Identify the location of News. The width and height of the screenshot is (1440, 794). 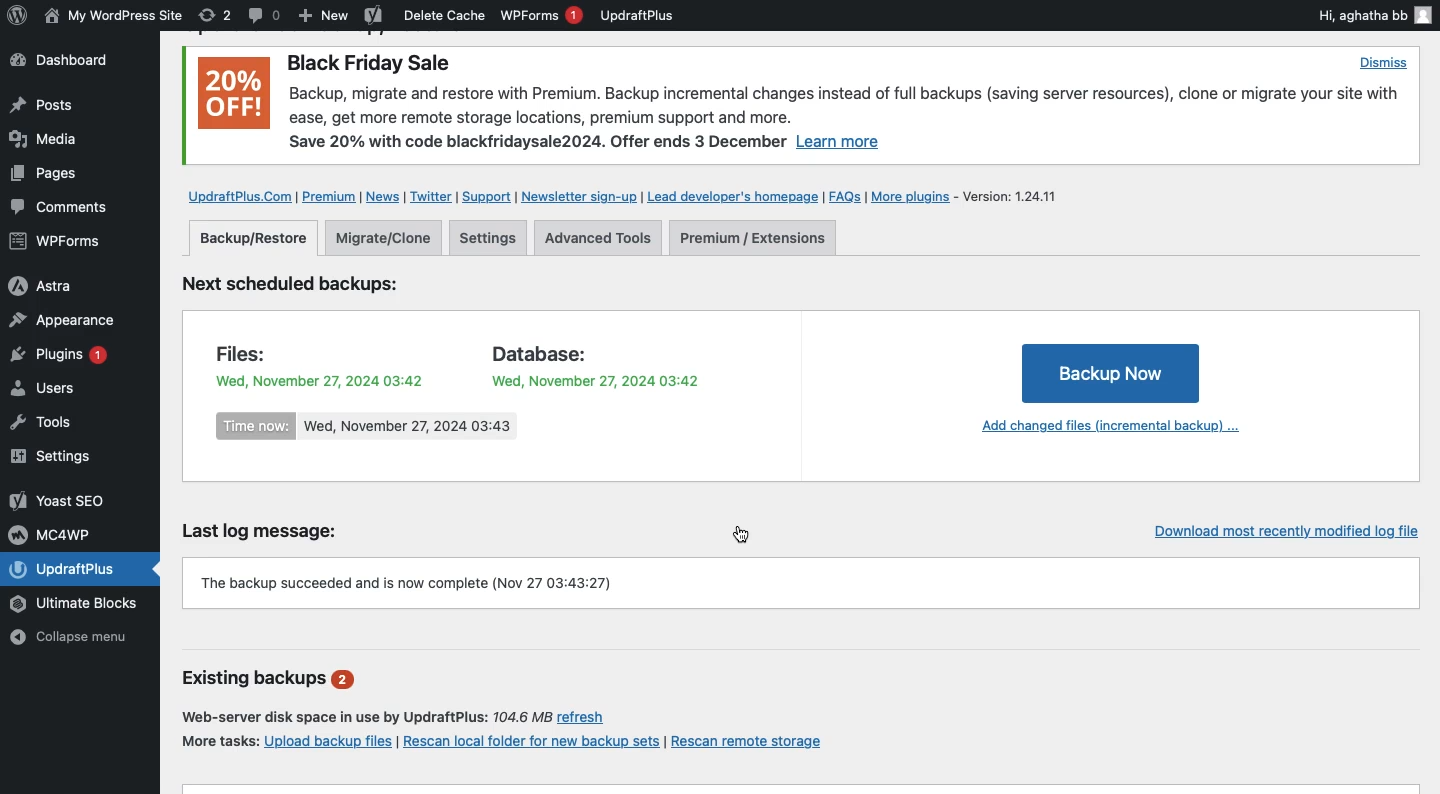
(384, 197).